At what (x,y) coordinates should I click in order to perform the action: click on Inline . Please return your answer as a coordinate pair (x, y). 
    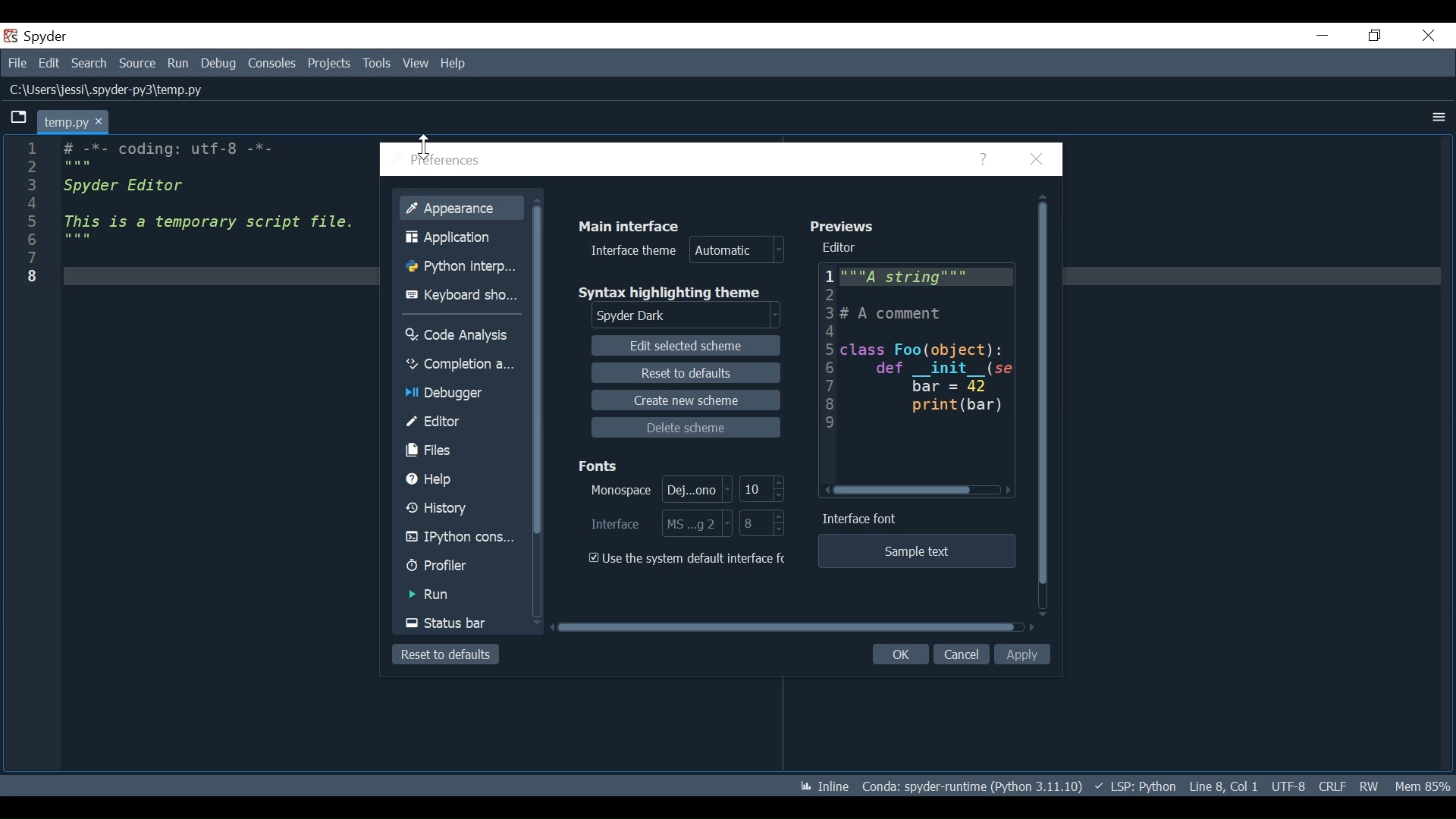
    Looking at the image, I should click on (824, 786).